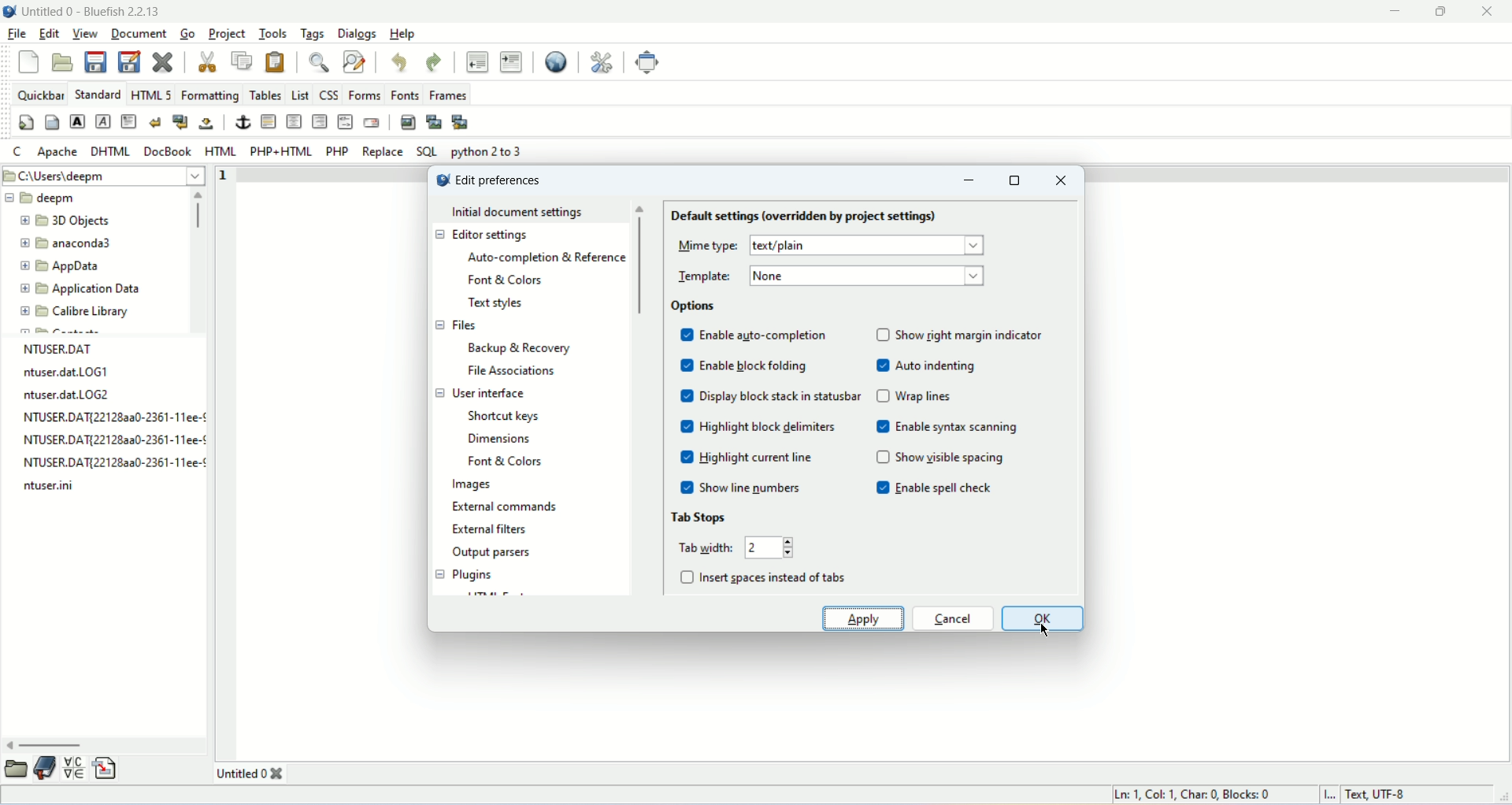  I want to click on tab storage, so click(700, 516).